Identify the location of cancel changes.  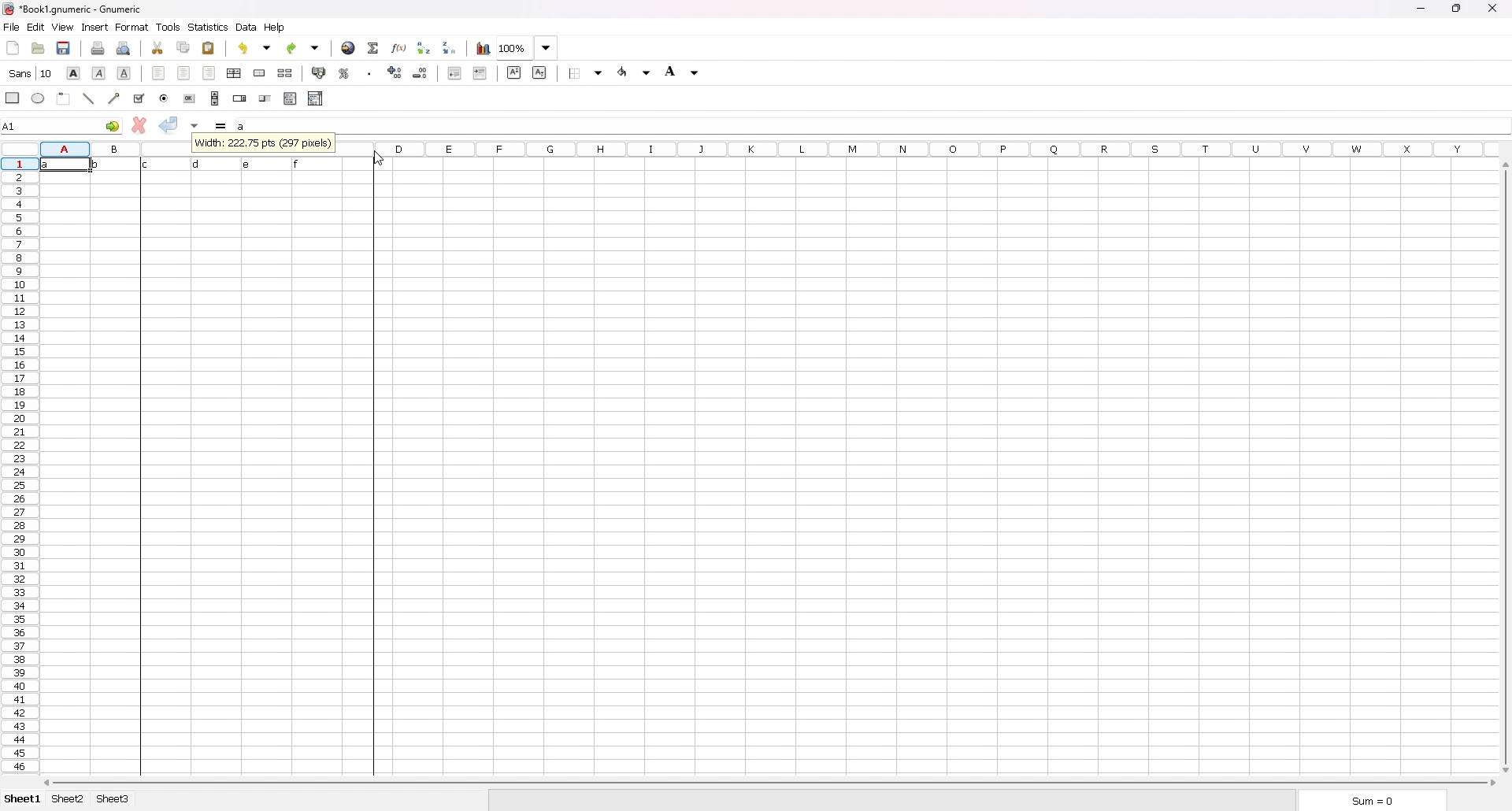
(139, 124).